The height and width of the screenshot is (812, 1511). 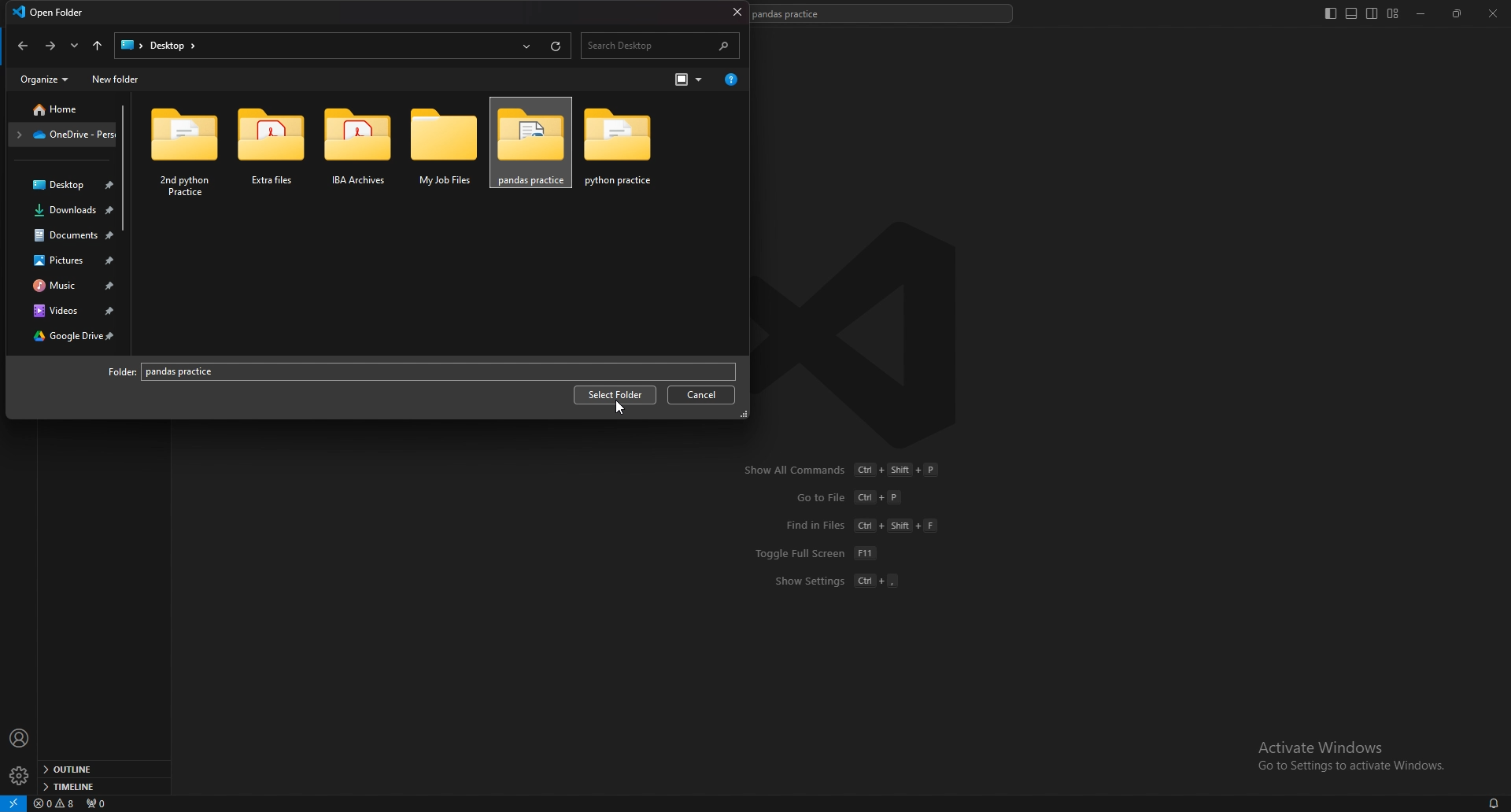 I want to click on Activate Windows
Go to Settings to activate Windows., so click(x=1346, y=755).